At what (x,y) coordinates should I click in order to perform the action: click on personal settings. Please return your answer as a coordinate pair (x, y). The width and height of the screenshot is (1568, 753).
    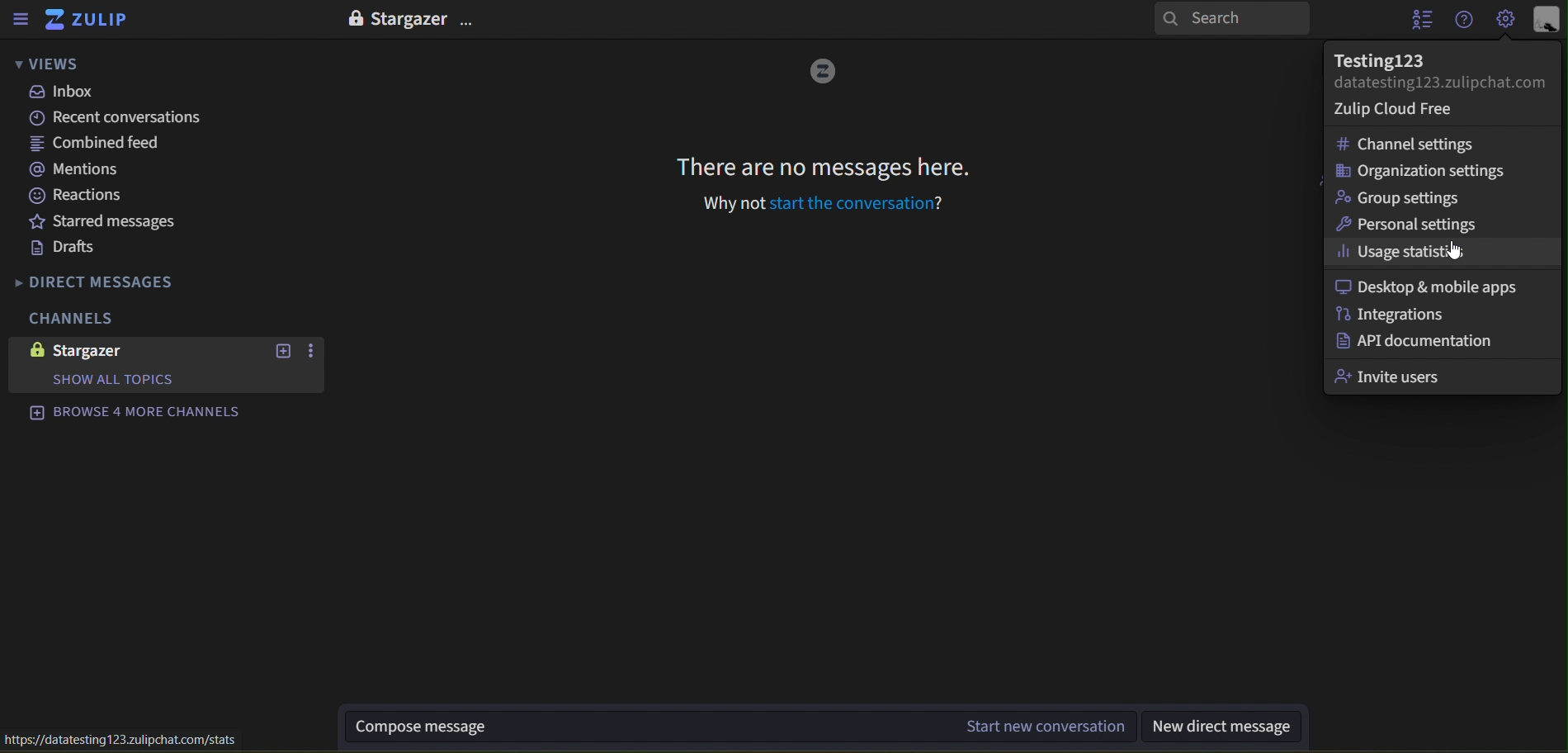
    Looking at the image, I should click on (1405, 225).